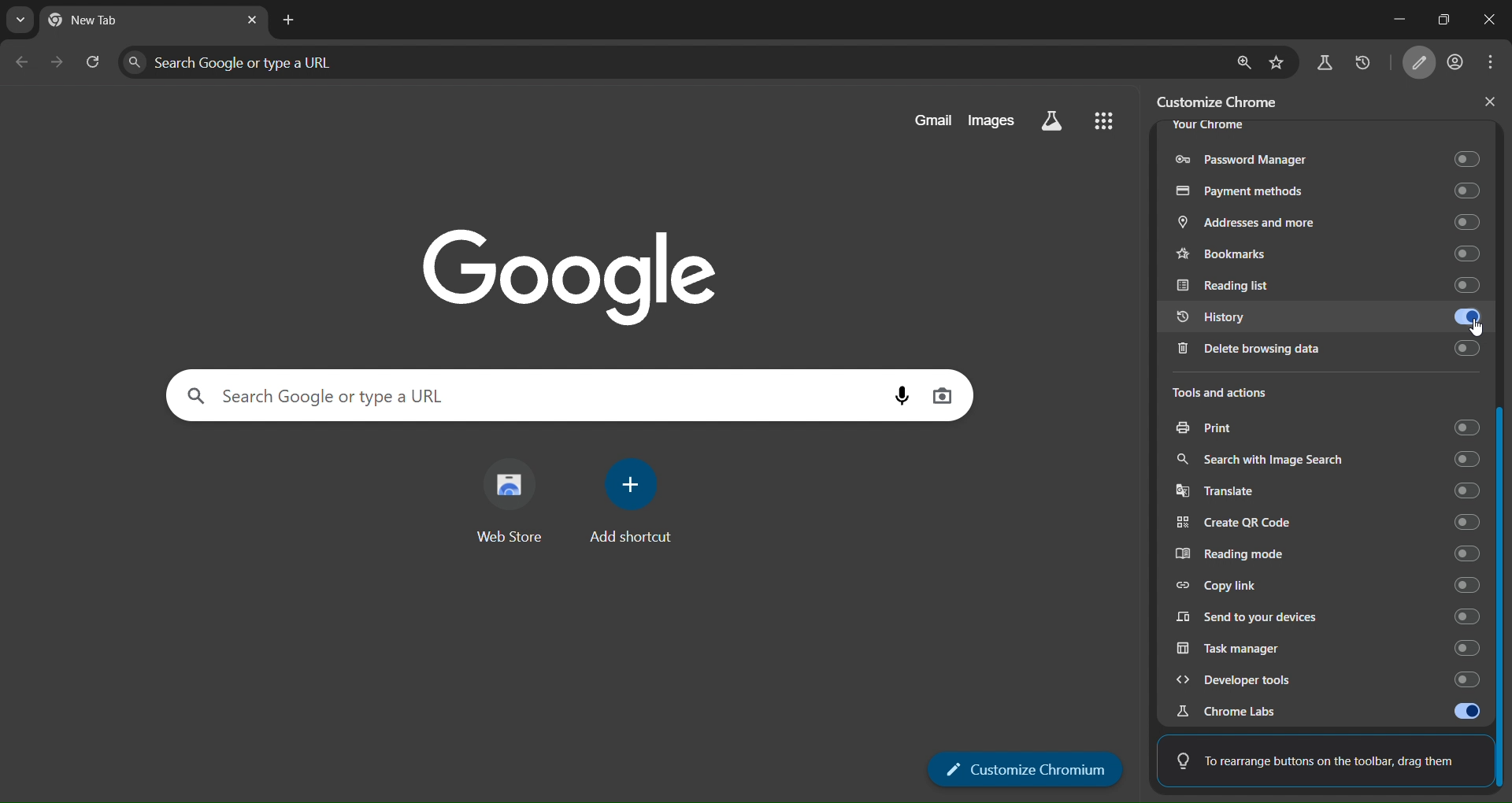 The width and height of the screenshot is (1512, 803). What do you see at coordinates (1437, 18) in the screenshot?
I see `restore down` at bounding box center [1437, 18].